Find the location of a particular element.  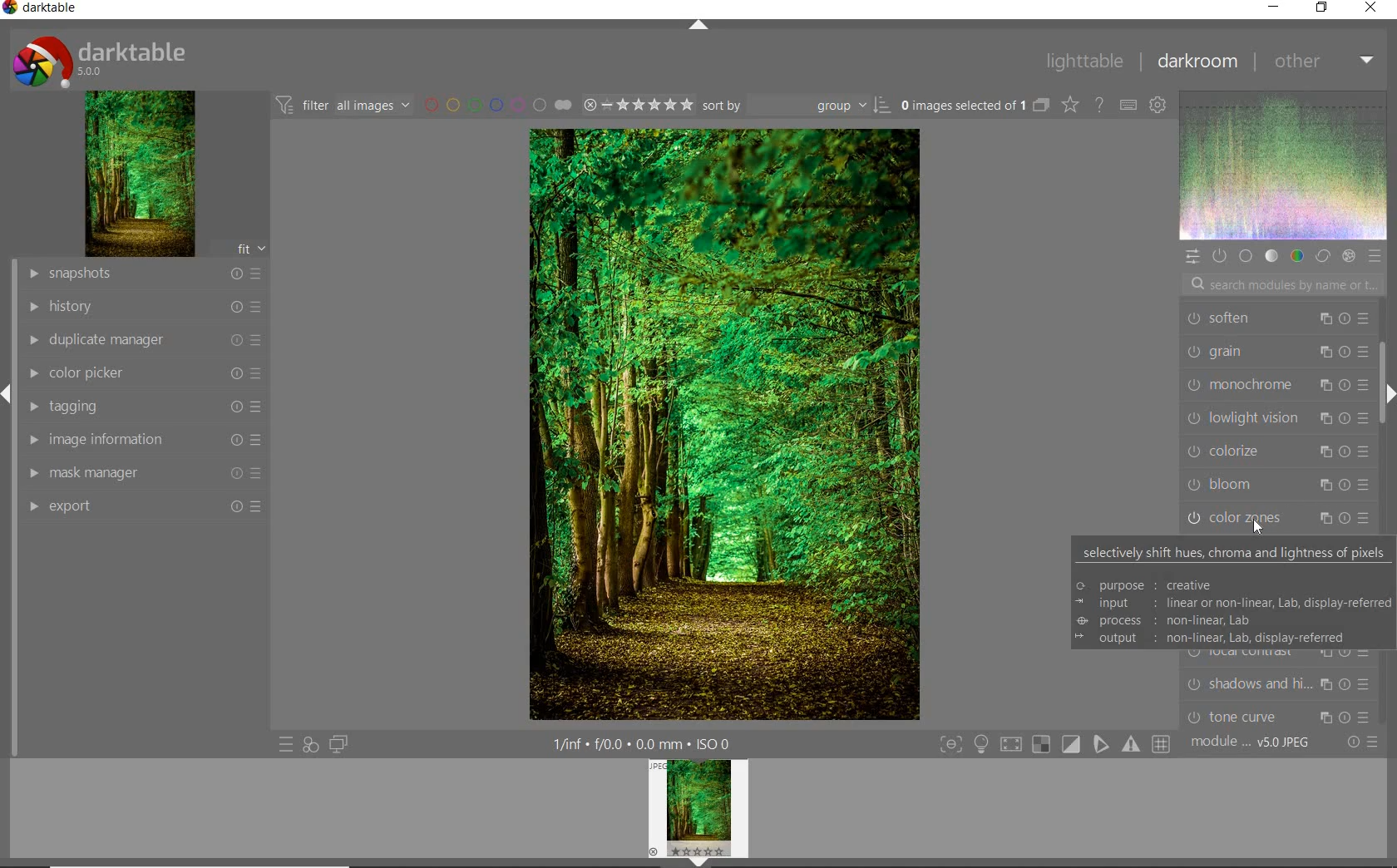

RESTORE is located at coordinates (1320, 8).